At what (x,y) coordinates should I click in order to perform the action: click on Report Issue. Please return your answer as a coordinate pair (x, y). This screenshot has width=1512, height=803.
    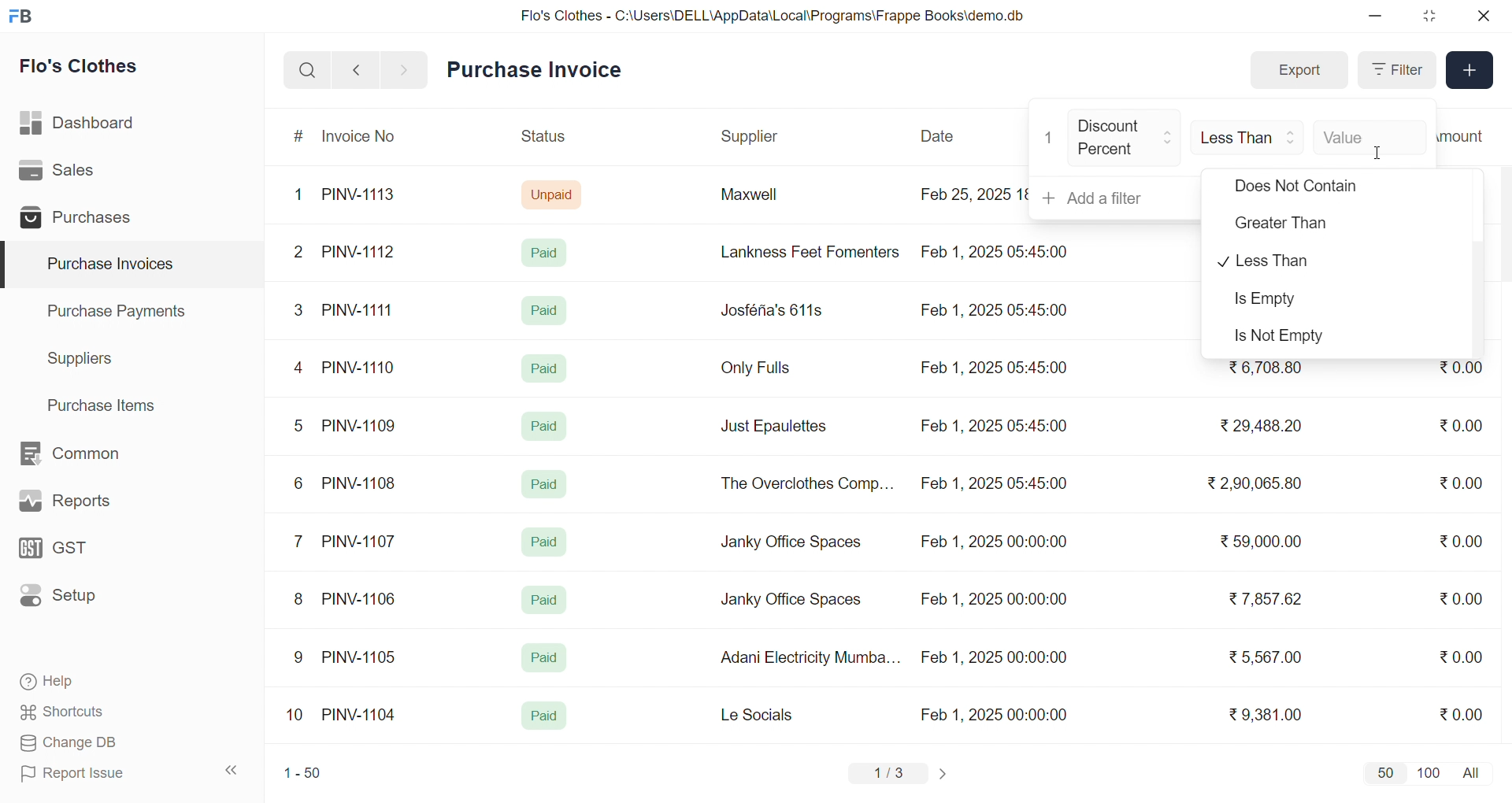
    Looking at the image, I should click on (98, 773).